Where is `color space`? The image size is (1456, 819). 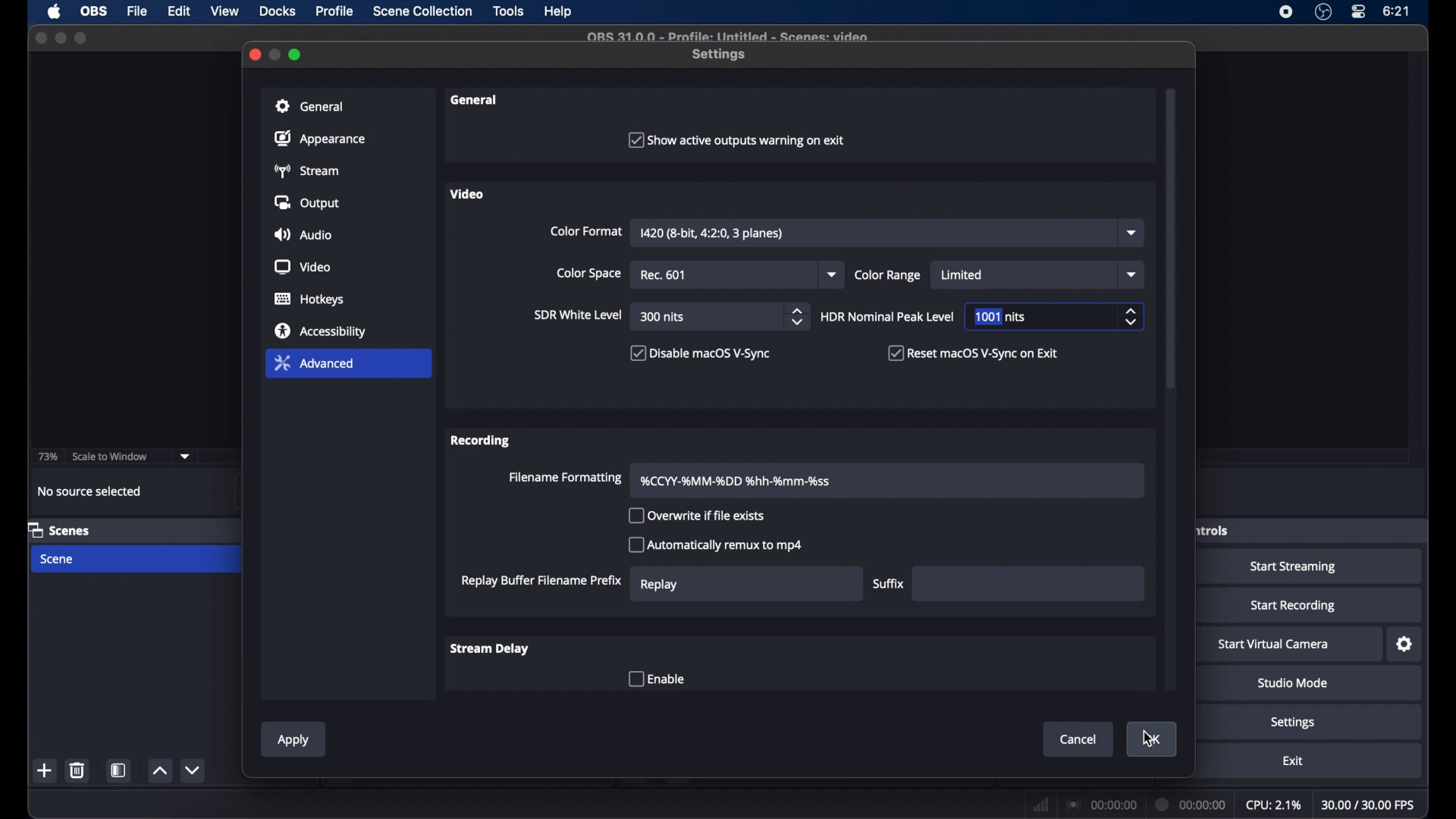 color space is located at coordinates (588, 273).